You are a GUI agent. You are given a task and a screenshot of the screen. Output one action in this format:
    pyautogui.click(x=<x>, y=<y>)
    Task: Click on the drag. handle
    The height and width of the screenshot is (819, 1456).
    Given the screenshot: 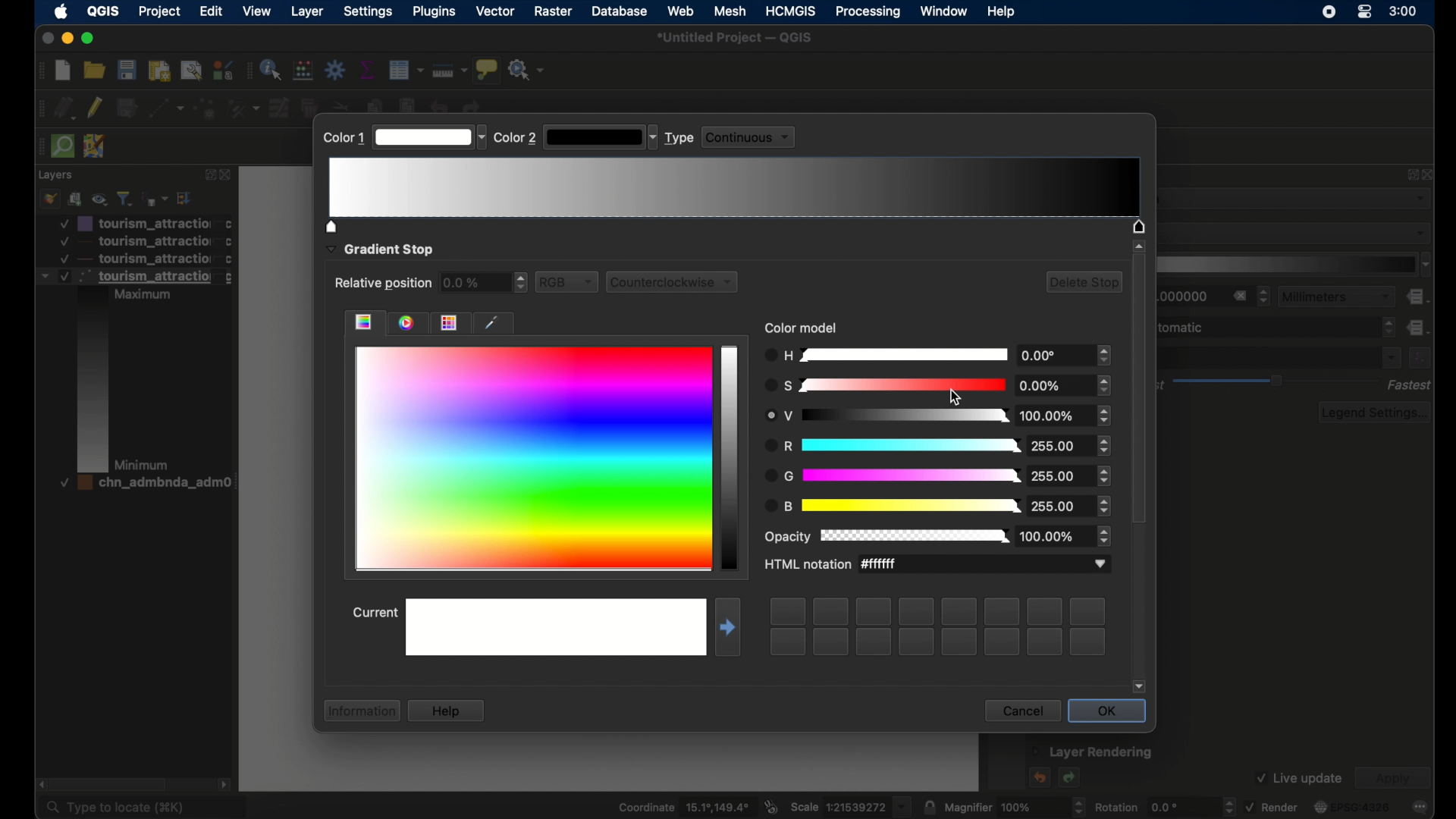 What is the action you would take?
    pyautogui.click(x=246, y=71)
    